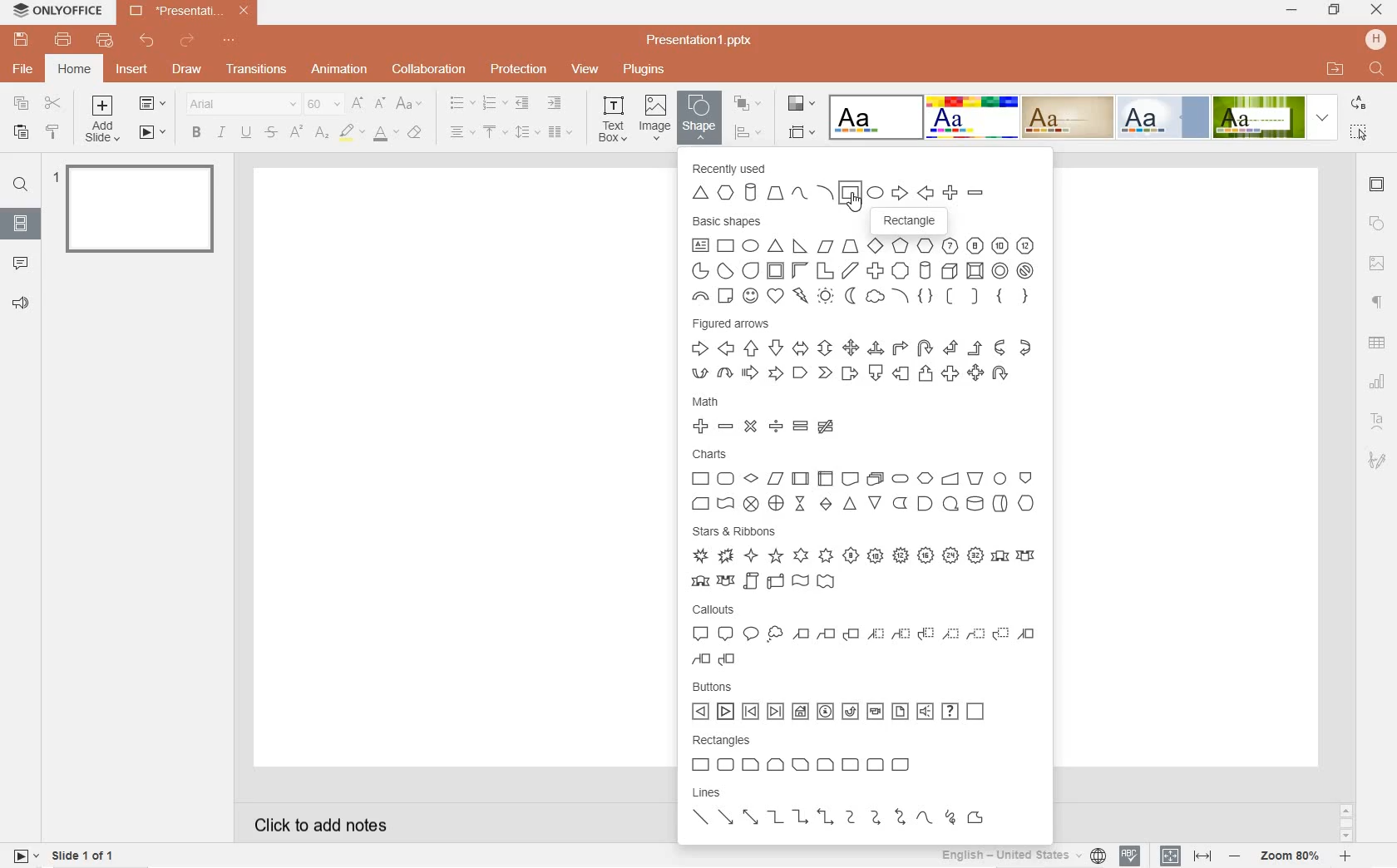 The image size is (1397, 868). Describe the element at coordinates (147, 41) in the screenshot. I see `undo` at that location.